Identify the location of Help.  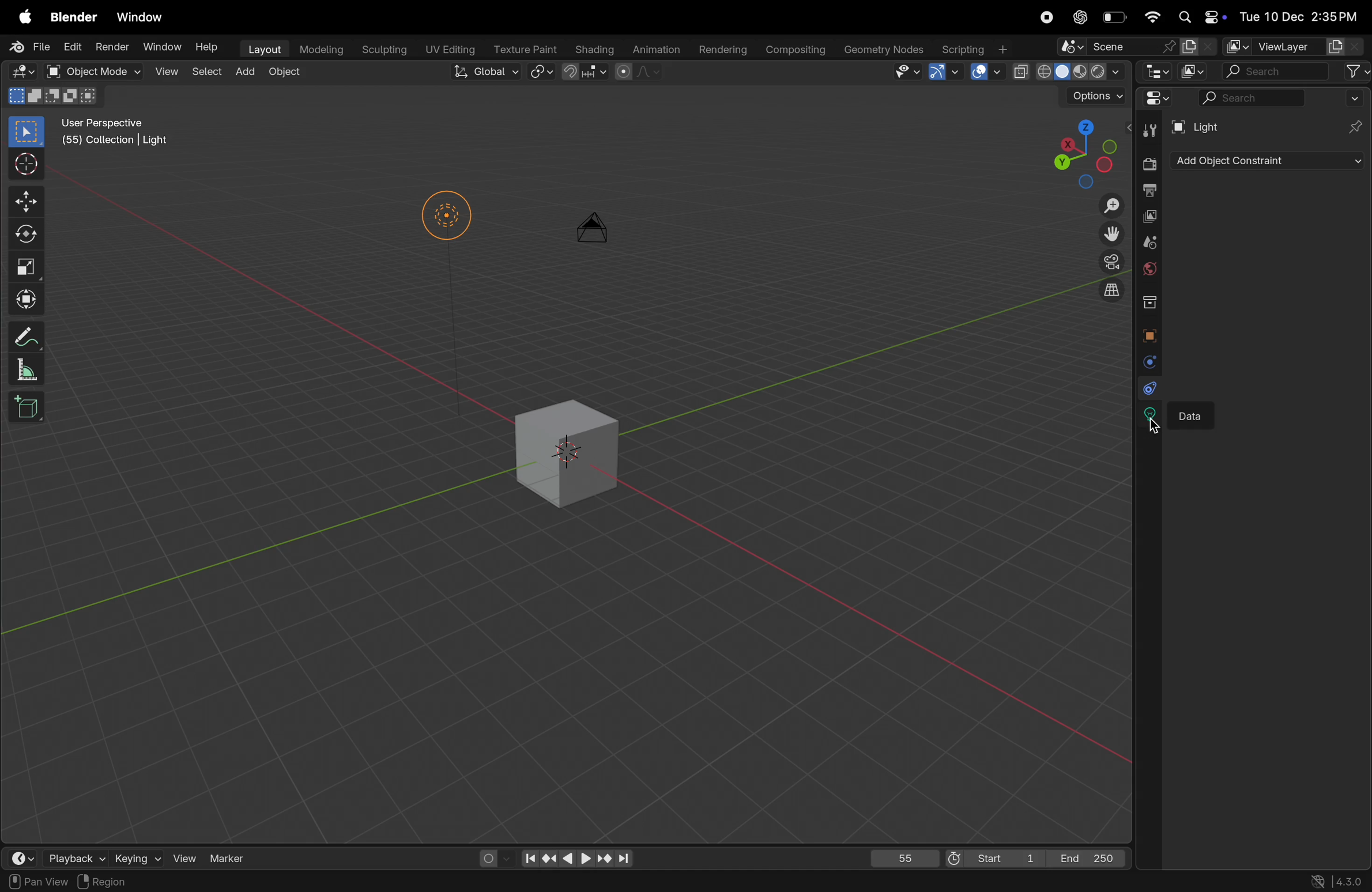
(208, 48).